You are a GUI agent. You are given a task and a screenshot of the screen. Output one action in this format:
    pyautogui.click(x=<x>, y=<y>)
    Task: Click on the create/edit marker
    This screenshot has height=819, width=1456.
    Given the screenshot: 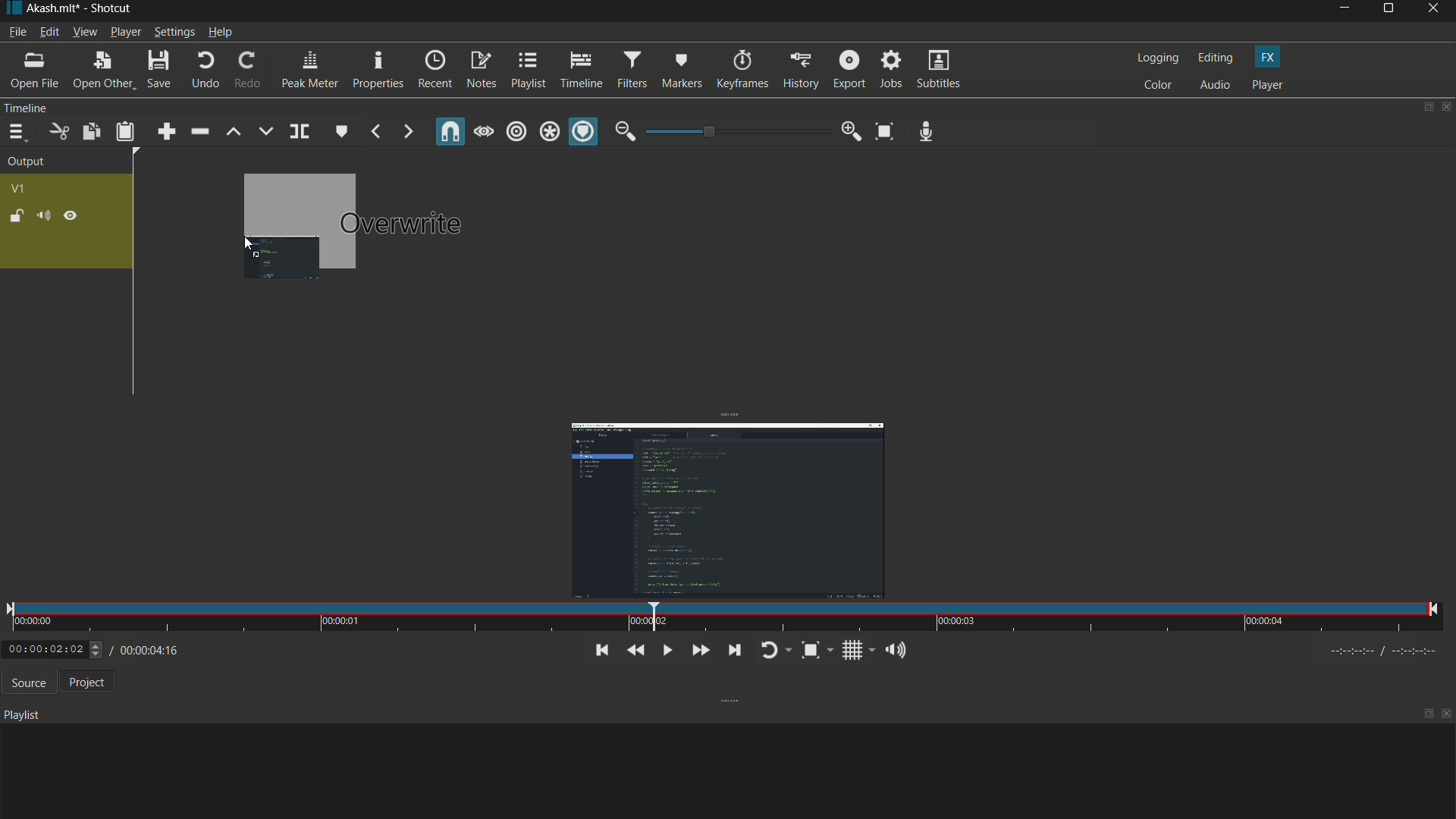 What is the action you would take?
    pyautogui.click(x=340, y=130)
    